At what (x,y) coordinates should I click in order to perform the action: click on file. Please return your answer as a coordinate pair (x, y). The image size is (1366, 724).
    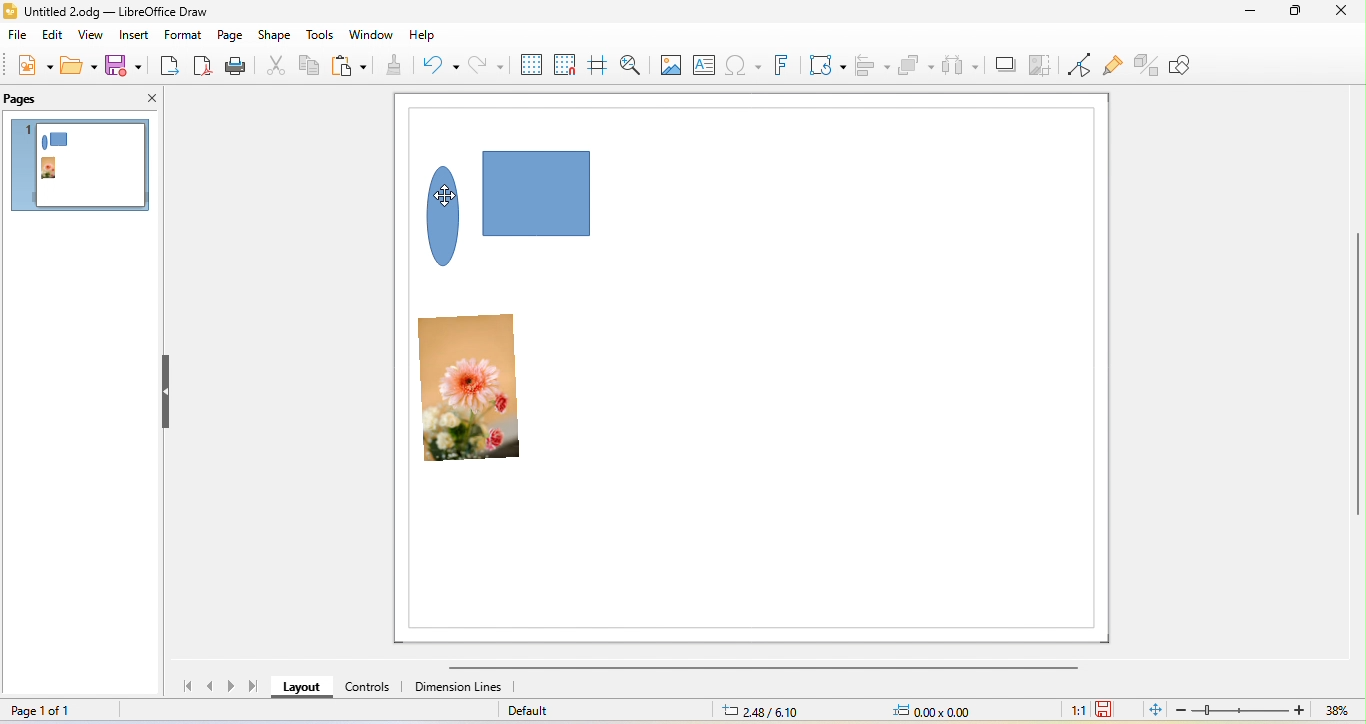
    Looking at the image, I should click on (18, 38).